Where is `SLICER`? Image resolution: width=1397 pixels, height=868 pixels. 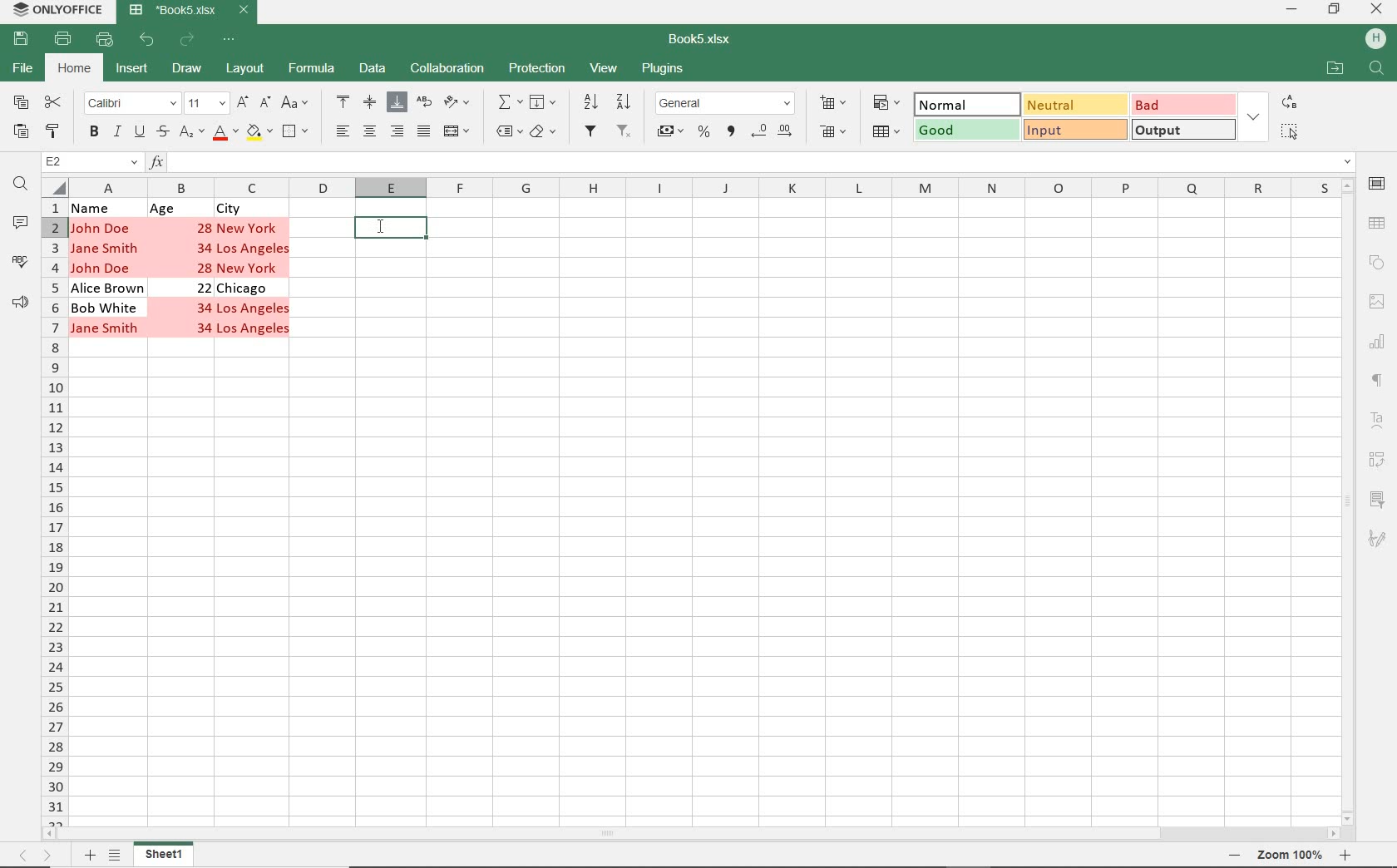 SLICER is located at coordinates (1379, 499).